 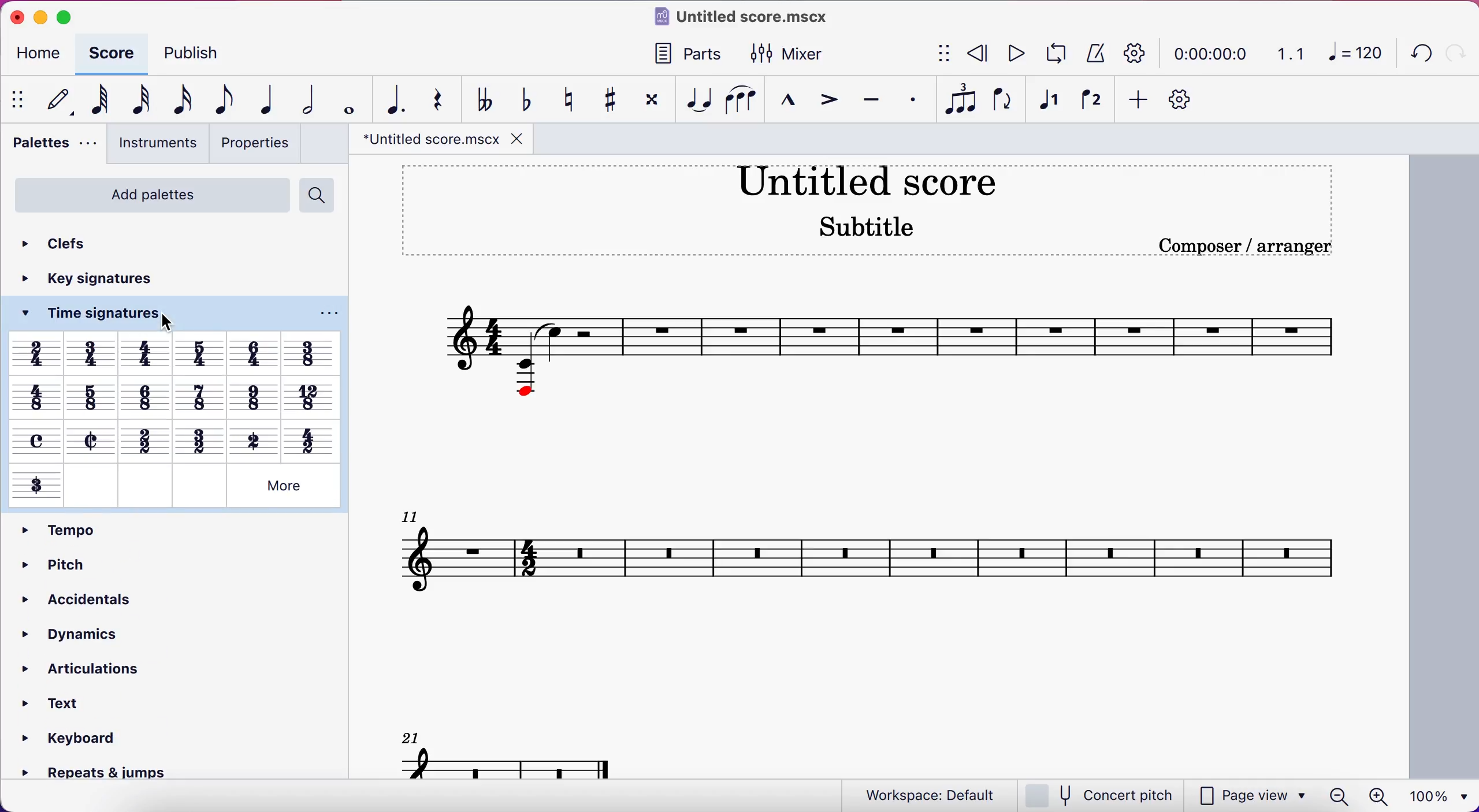 What do you see at coordinates (13, 17) in the screenshot?
I see `close` at bounding box center [13, 17].